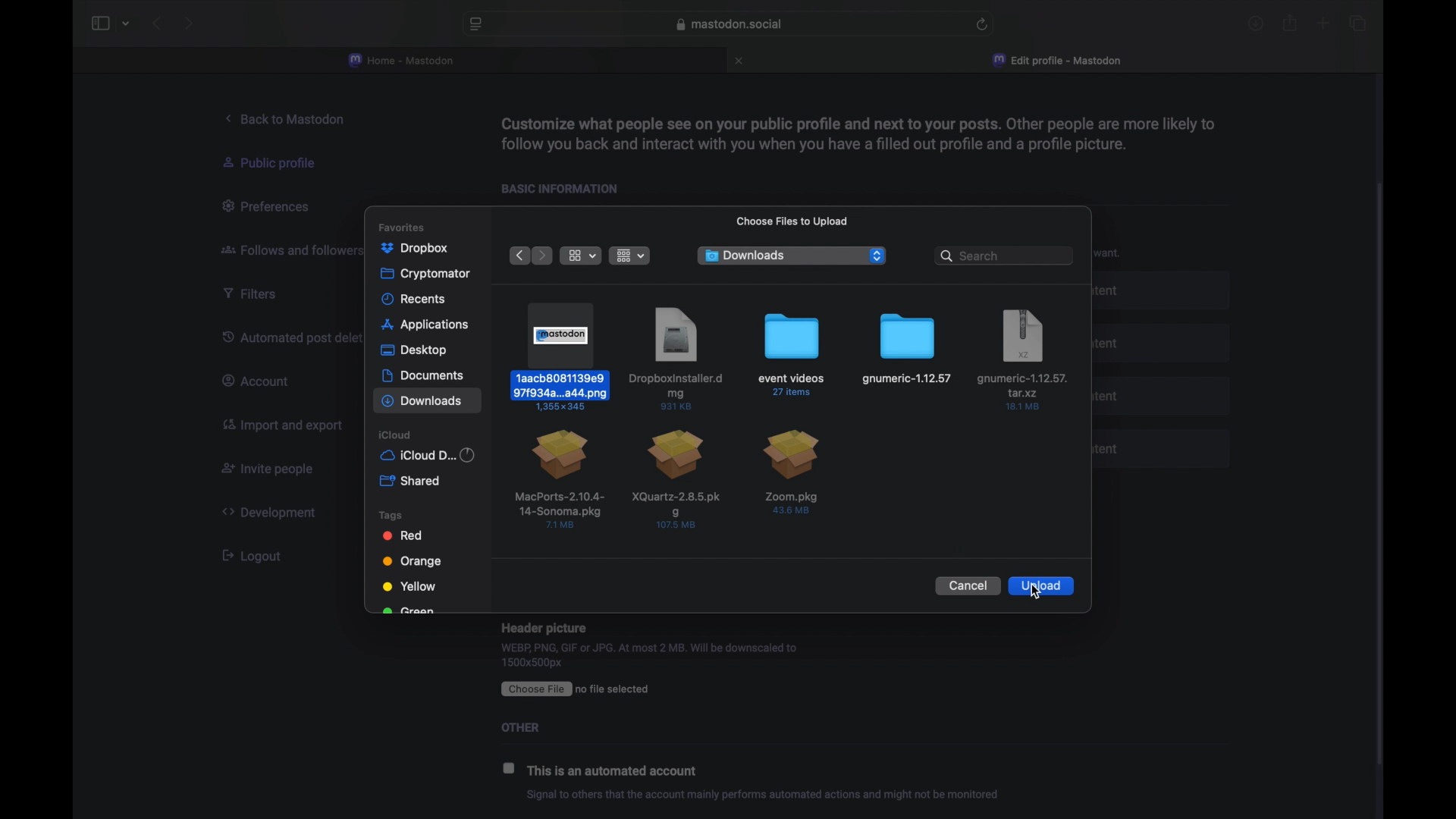 This screenshot has width=1456, height=819. Describe the element at coordinates (1291, 23) in the screenshot. I see `share` at that location.